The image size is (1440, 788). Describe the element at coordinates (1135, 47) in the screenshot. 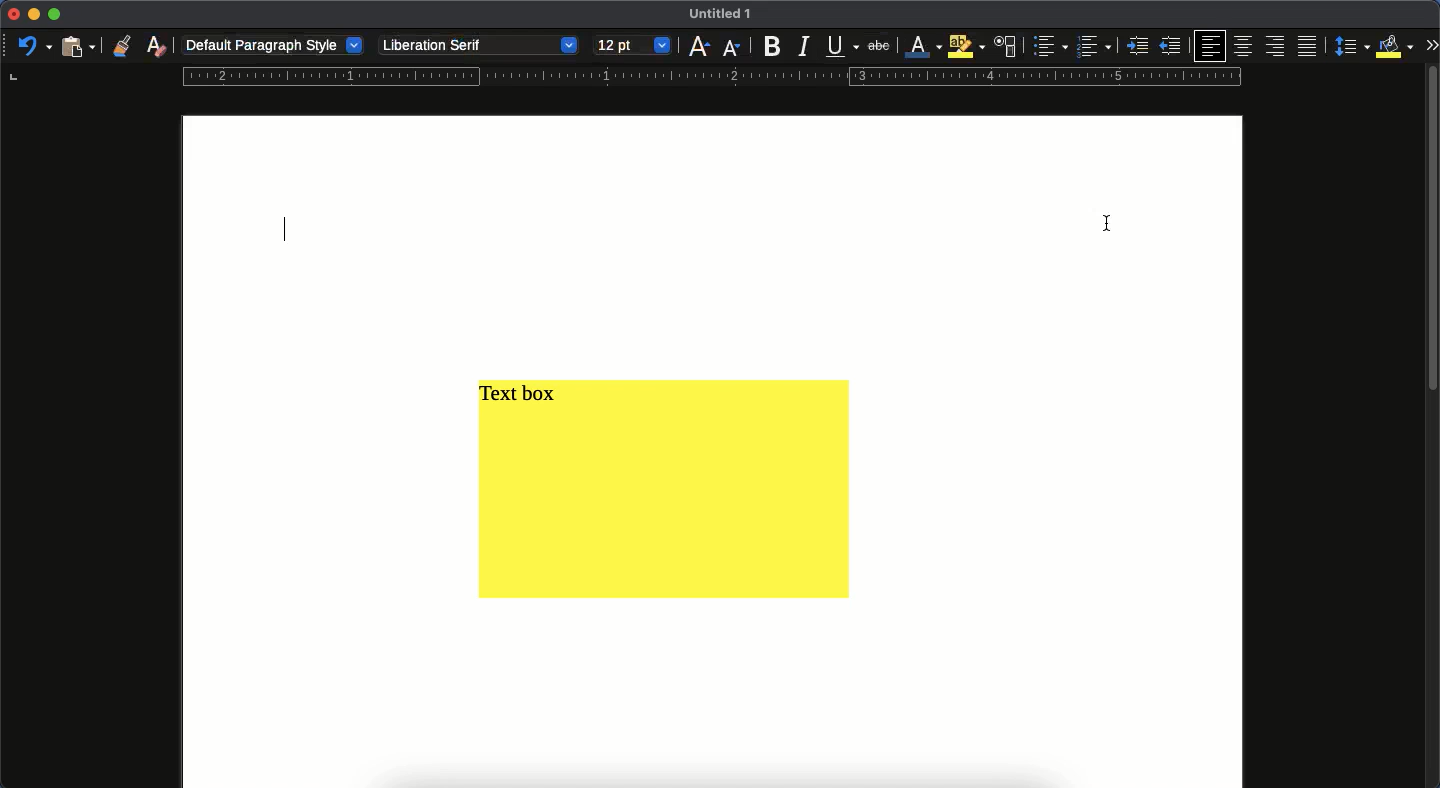

I see `indent` at that location.